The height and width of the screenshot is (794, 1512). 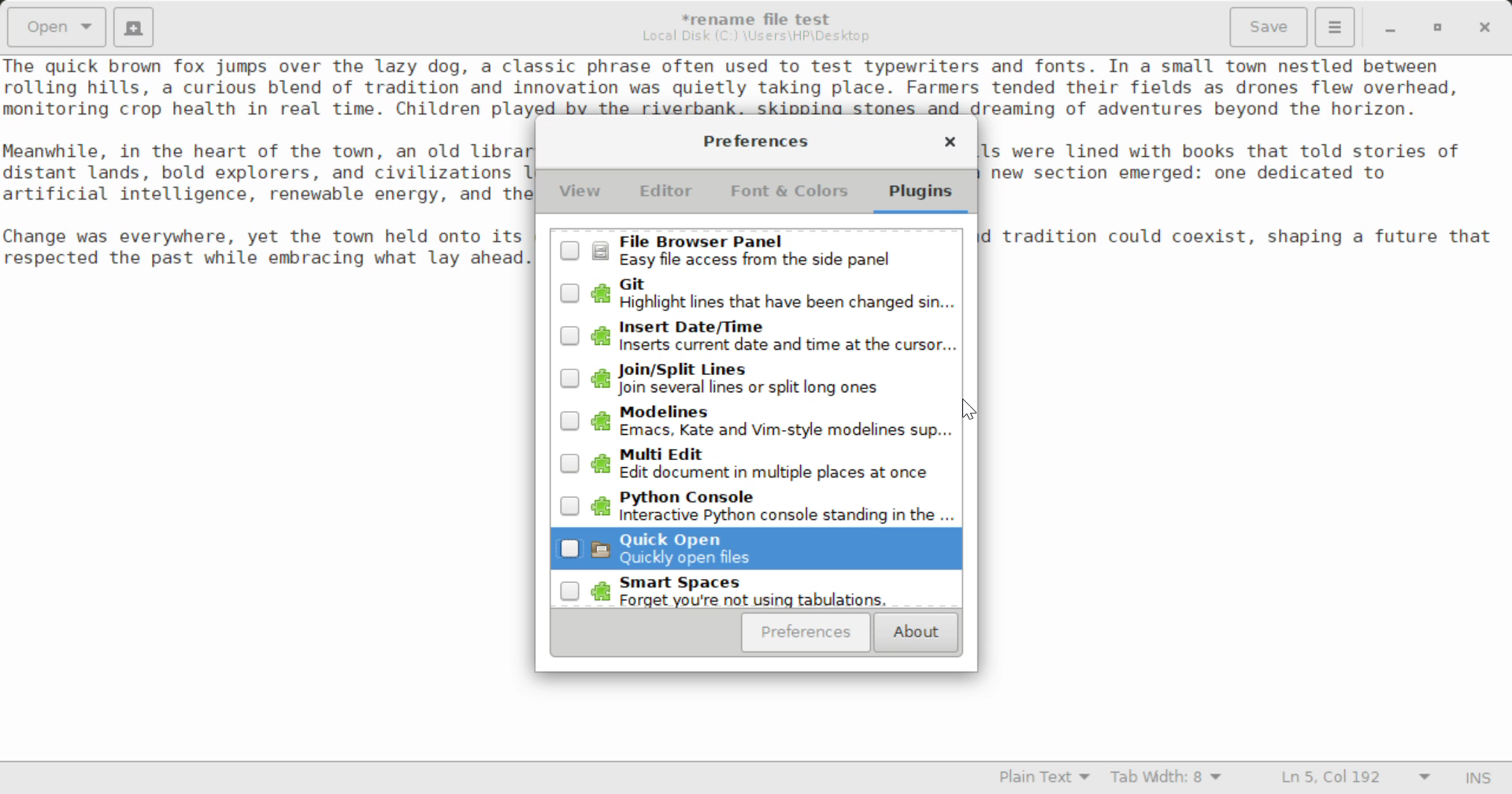 What do you see at coordinates (1487, 26) in the screenshot?
I see `Close Window` at bounding box center [1487, 26].